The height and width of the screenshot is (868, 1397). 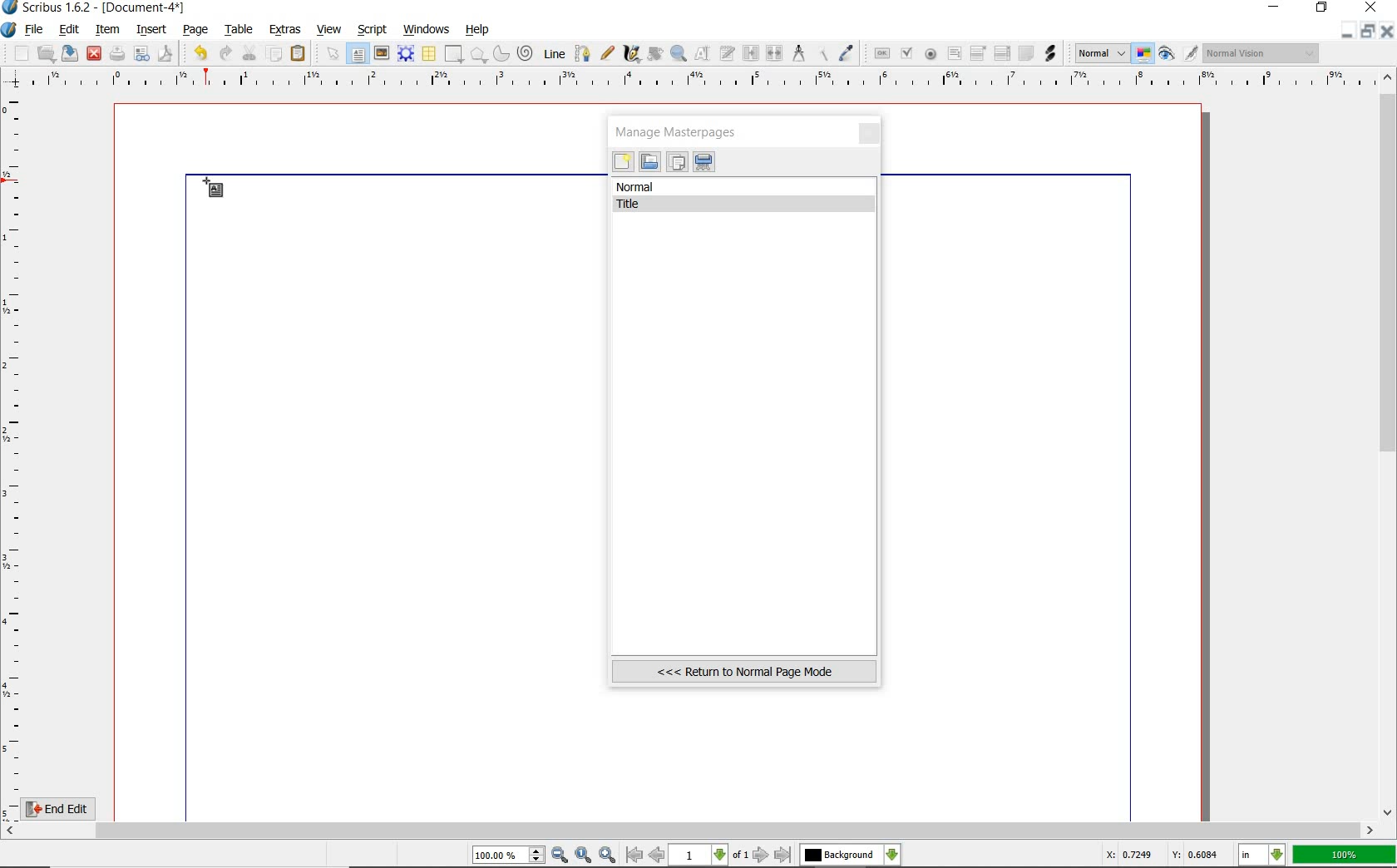 I want to click on zoom to 100%, so click(x=585, y=856).